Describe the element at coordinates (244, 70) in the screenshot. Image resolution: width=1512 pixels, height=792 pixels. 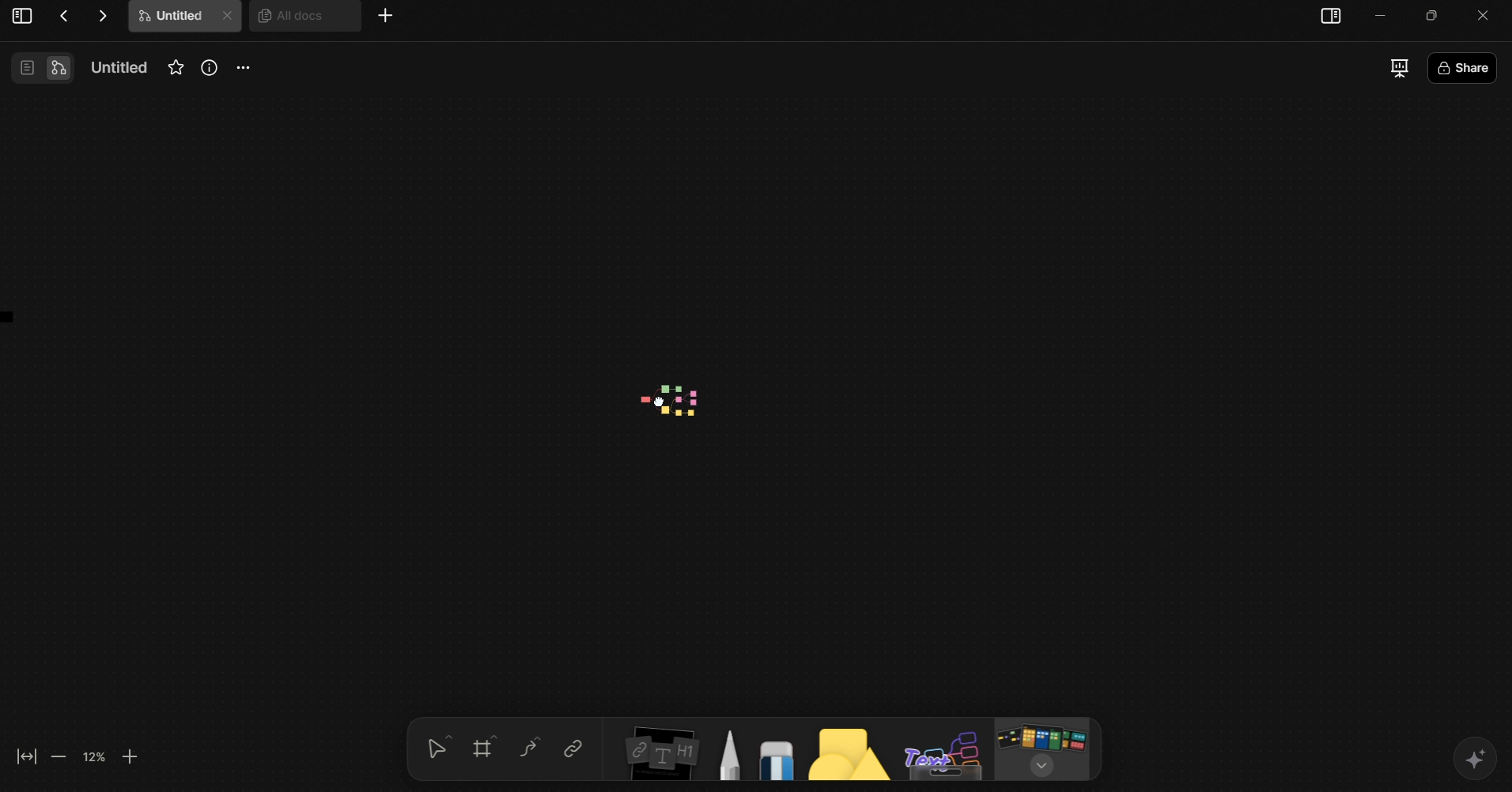
I see `More` at that location.